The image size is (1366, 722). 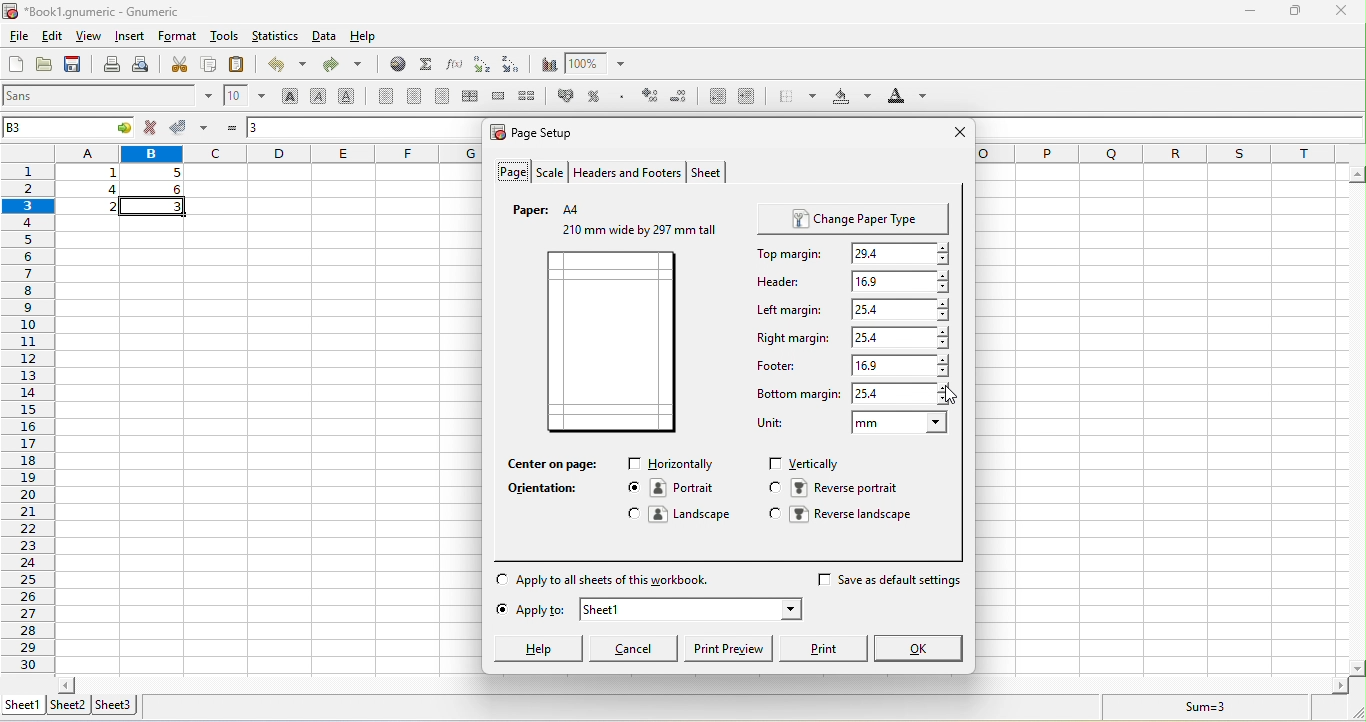 I want to click on 25.4, so click(x=904, y=309).